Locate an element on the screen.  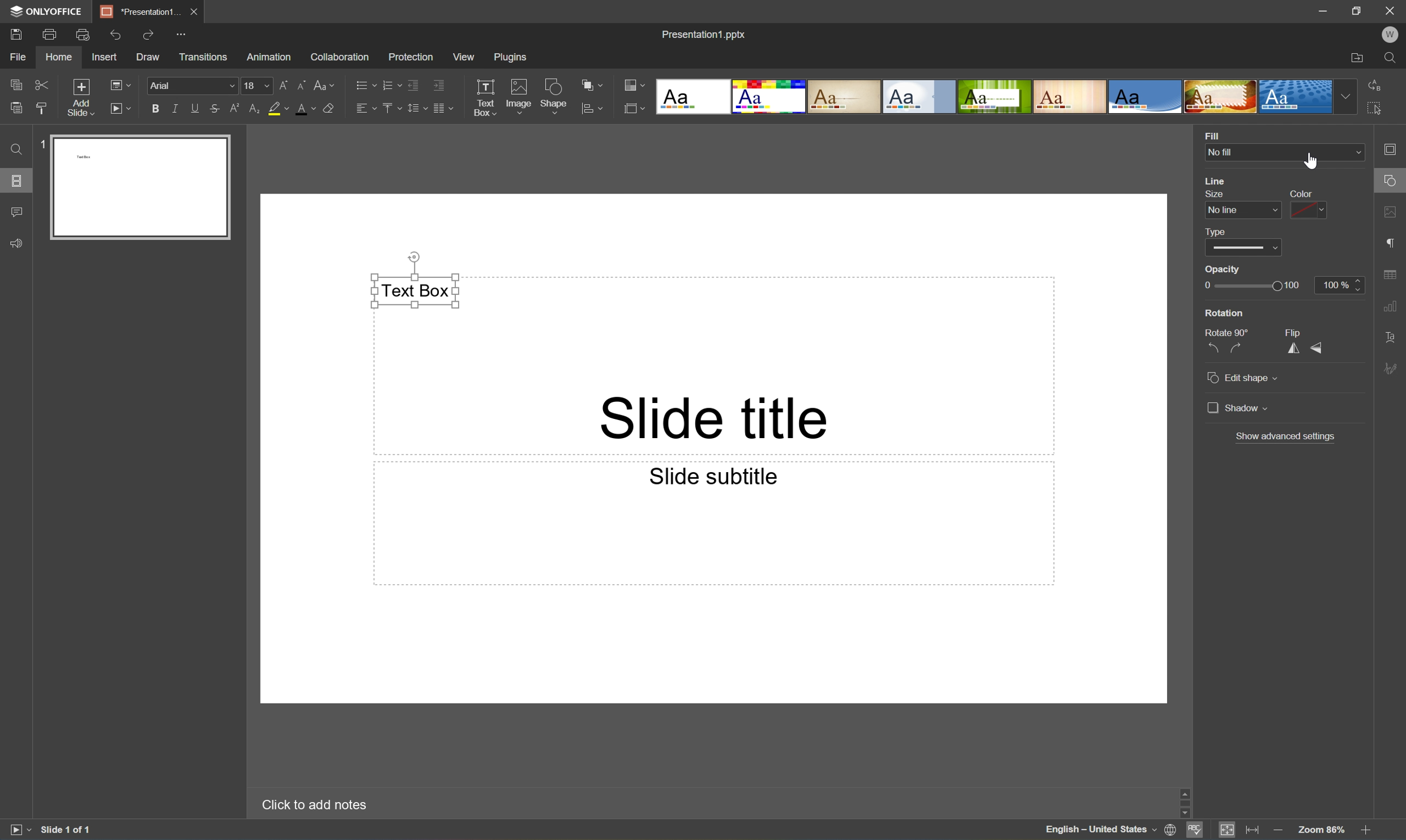
Save is located at coordinates (15, 35).